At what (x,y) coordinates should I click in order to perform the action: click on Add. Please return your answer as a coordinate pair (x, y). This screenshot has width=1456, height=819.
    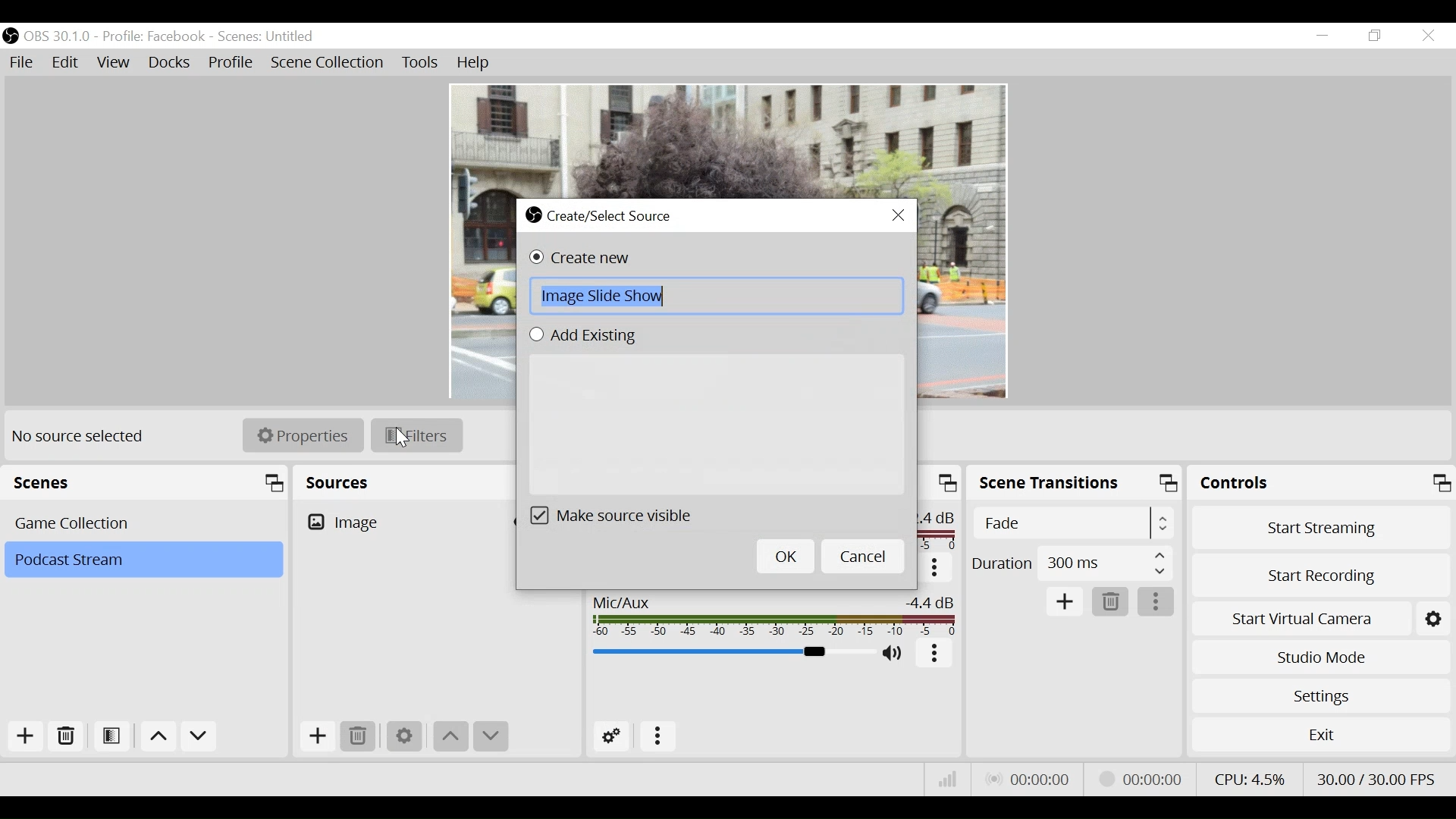
    Looking at the image, I should click on (315, 739).